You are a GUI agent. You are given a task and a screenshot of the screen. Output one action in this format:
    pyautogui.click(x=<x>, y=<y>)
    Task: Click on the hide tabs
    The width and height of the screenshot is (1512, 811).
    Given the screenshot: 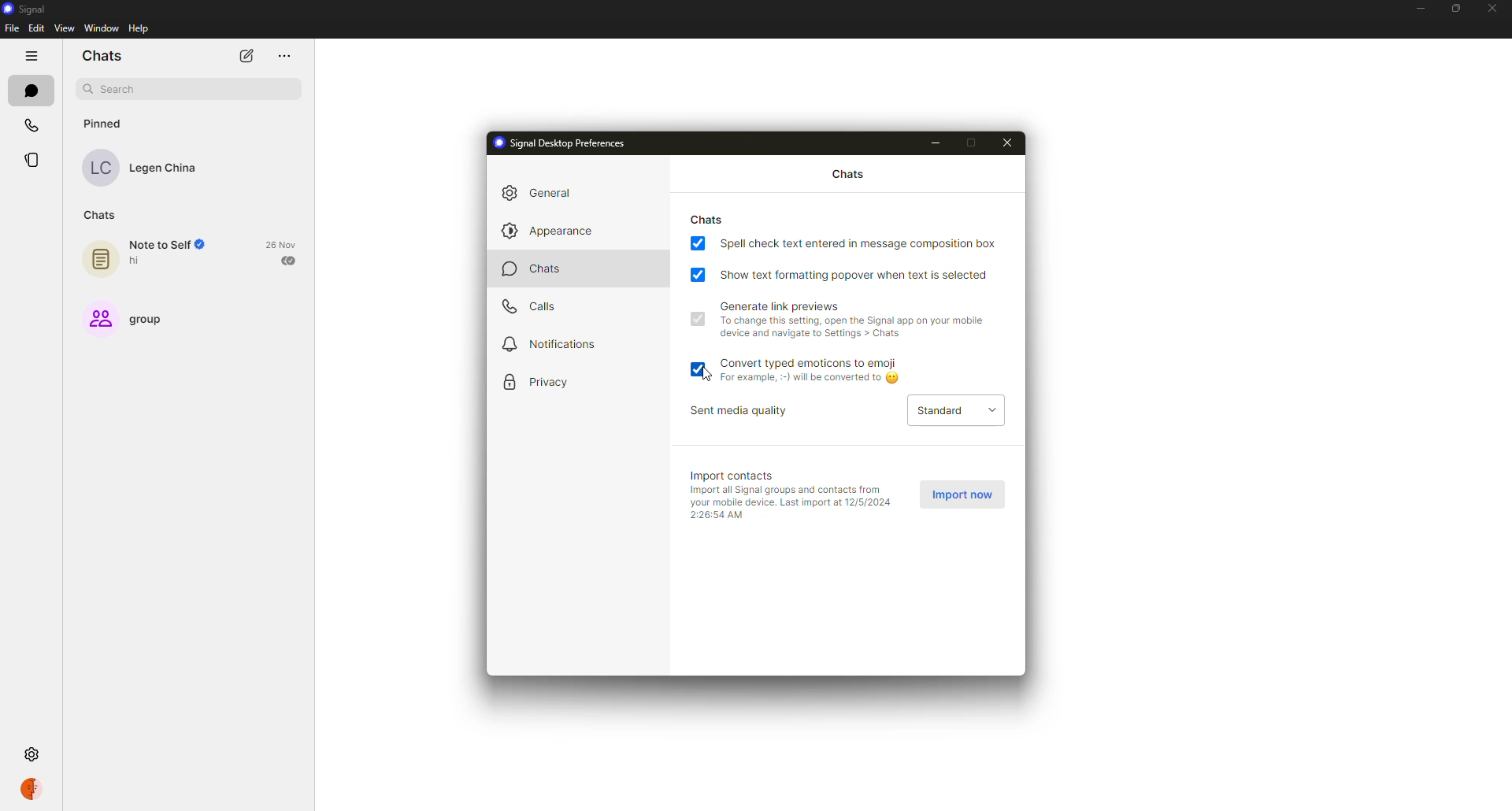 What is the action you would take?
    pyautogui.click(x=31, y=57)
    